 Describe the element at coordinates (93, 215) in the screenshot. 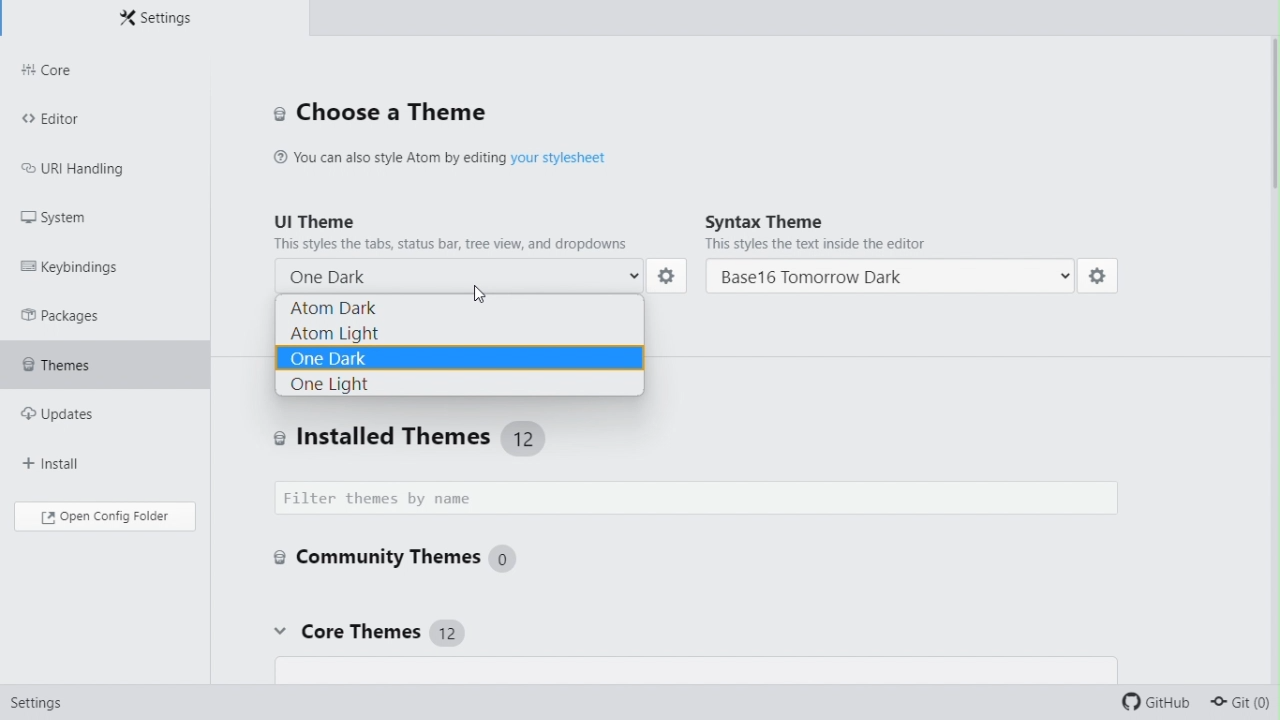

I see `system FREE TRIAL EXPIREDpackages` at that location.